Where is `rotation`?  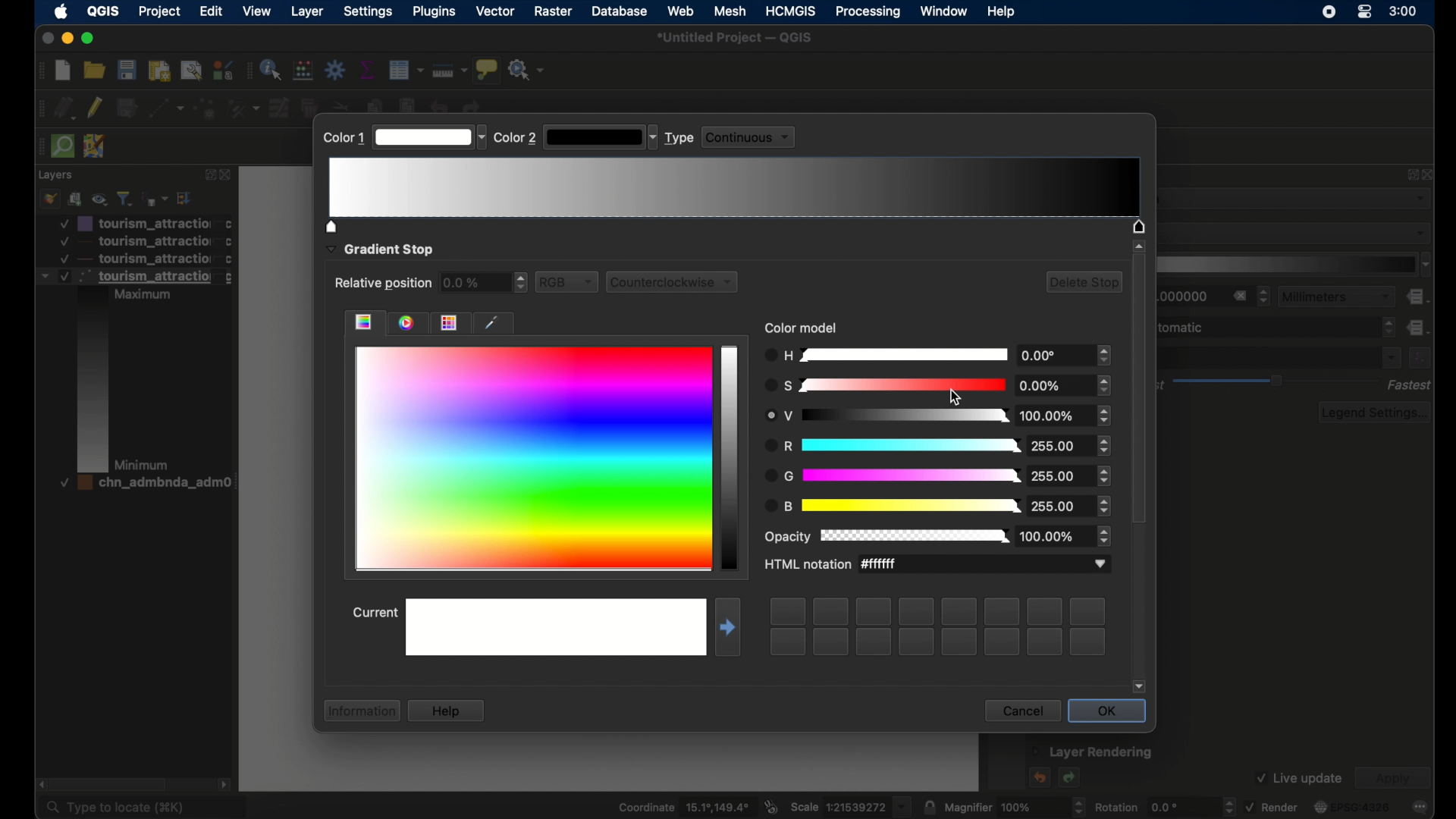 rotation is located at coordinates (1163, 806).